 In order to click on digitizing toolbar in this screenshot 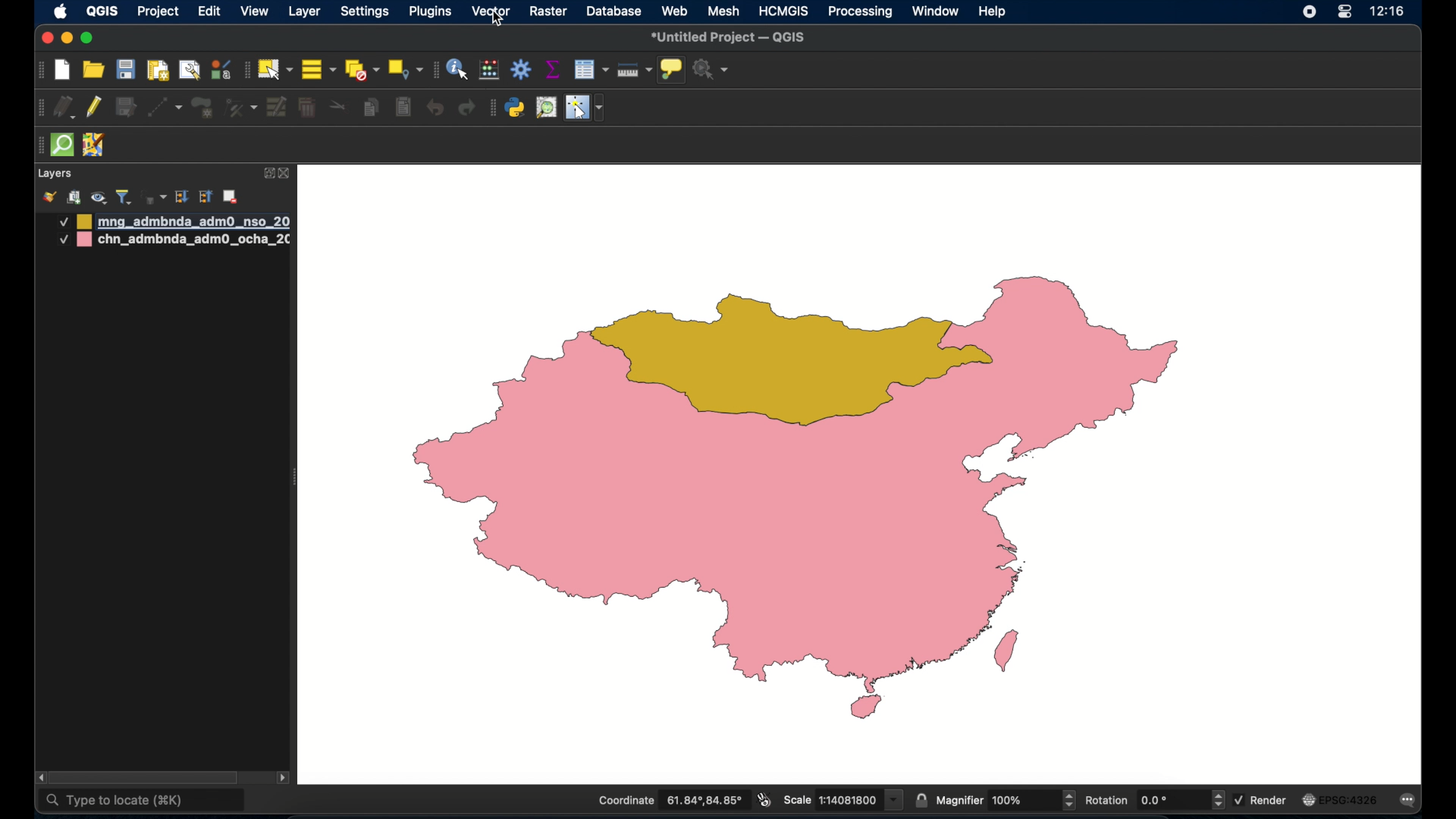, I will do `click(42, 110)`.